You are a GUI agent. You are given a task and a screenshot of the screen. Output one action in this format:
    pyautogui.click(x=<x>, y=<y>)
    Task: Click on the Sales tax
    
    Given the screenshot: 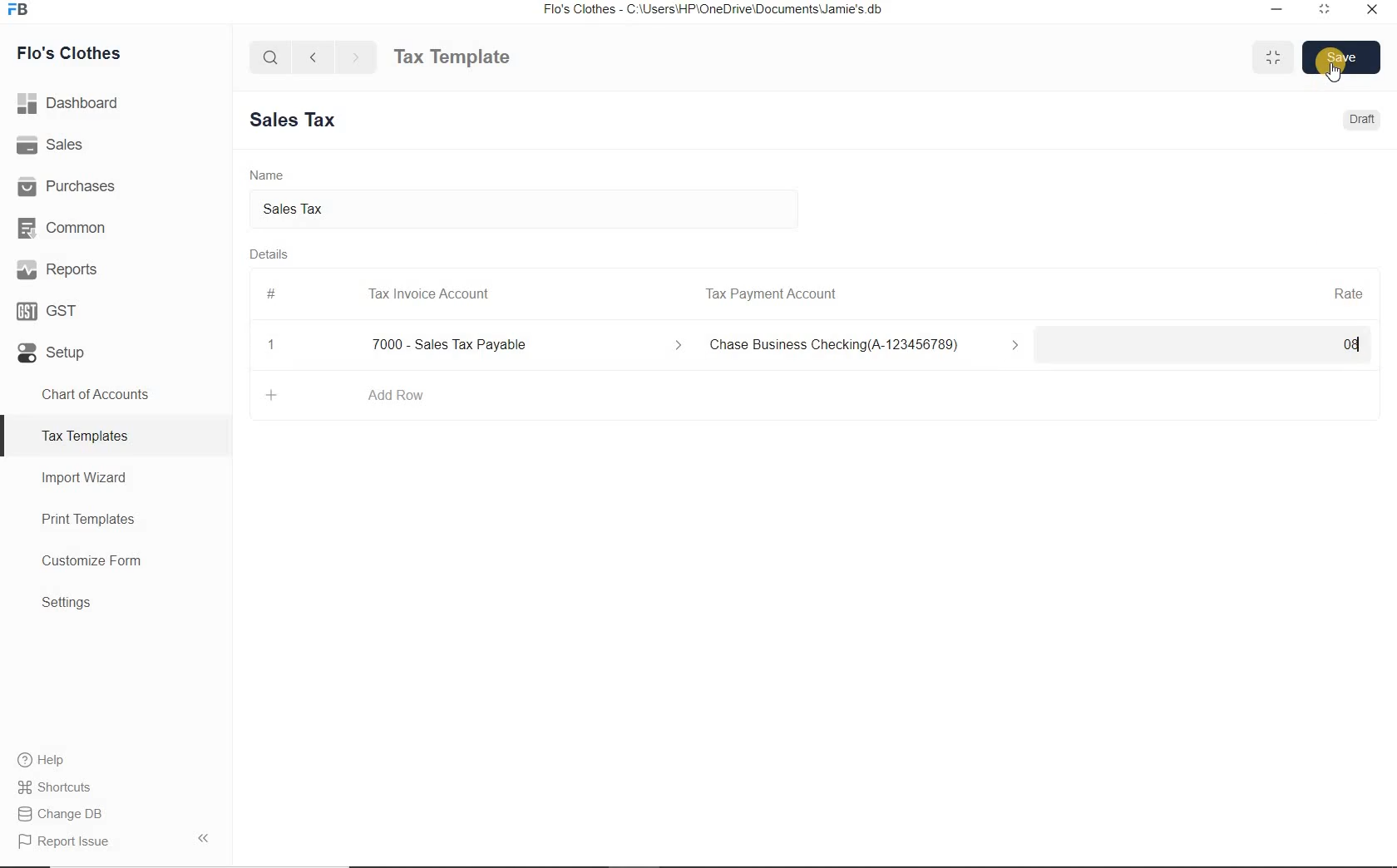 What is the action you would take?
    pyautogui.click(x=526, y=210)
    